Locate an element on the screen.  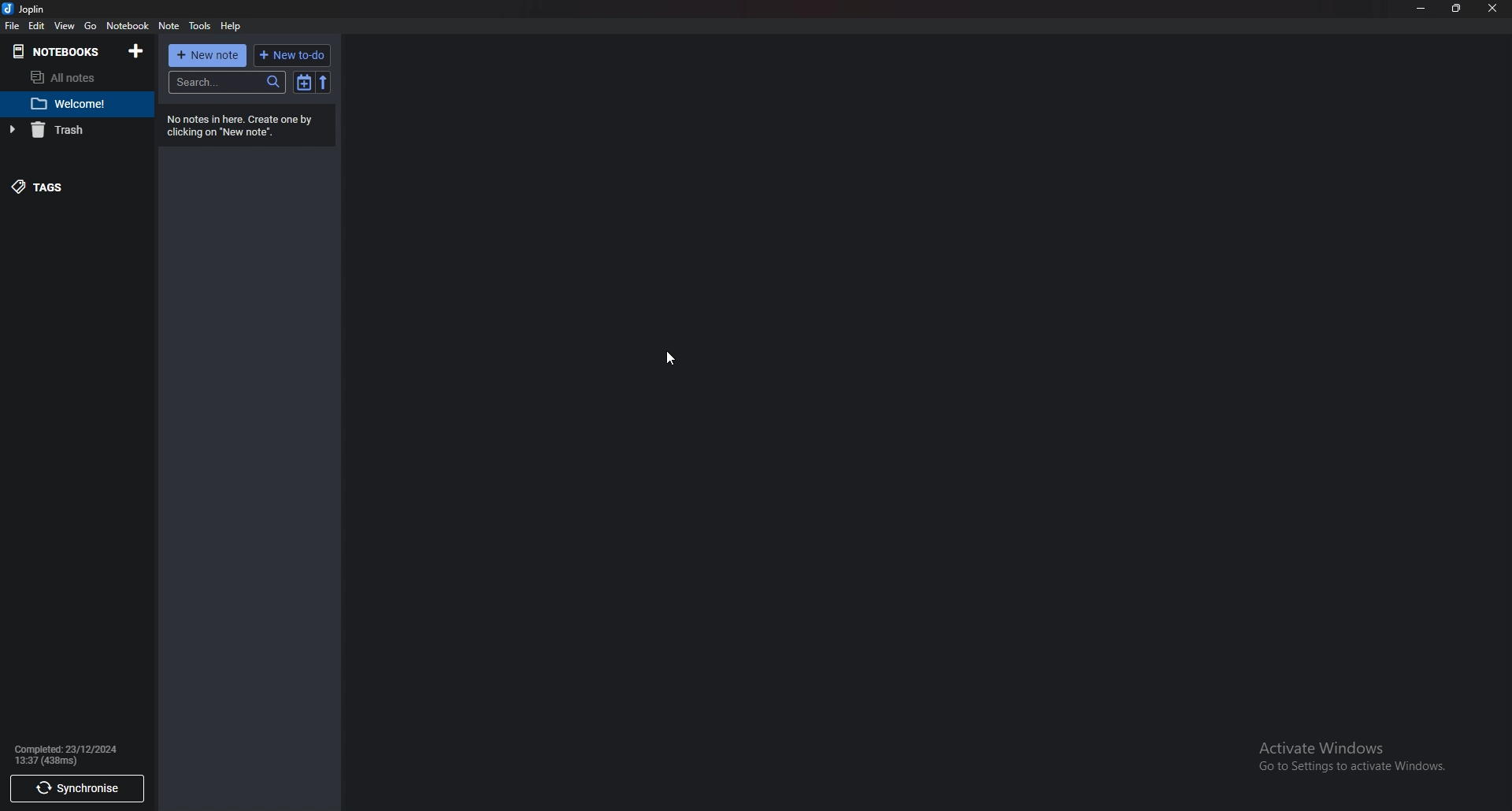
Synchronize is located at coordinates (80, 790).